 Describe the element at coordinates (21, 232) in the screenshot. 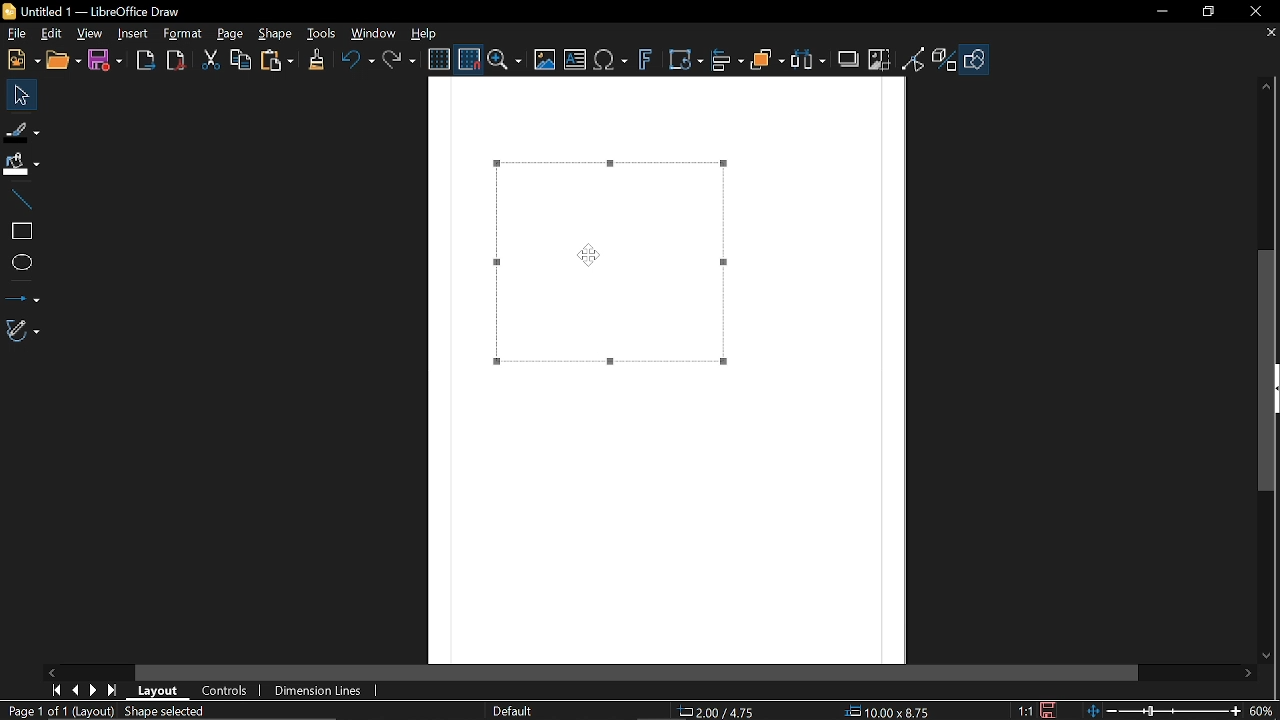

I see `rectangle` at that location.